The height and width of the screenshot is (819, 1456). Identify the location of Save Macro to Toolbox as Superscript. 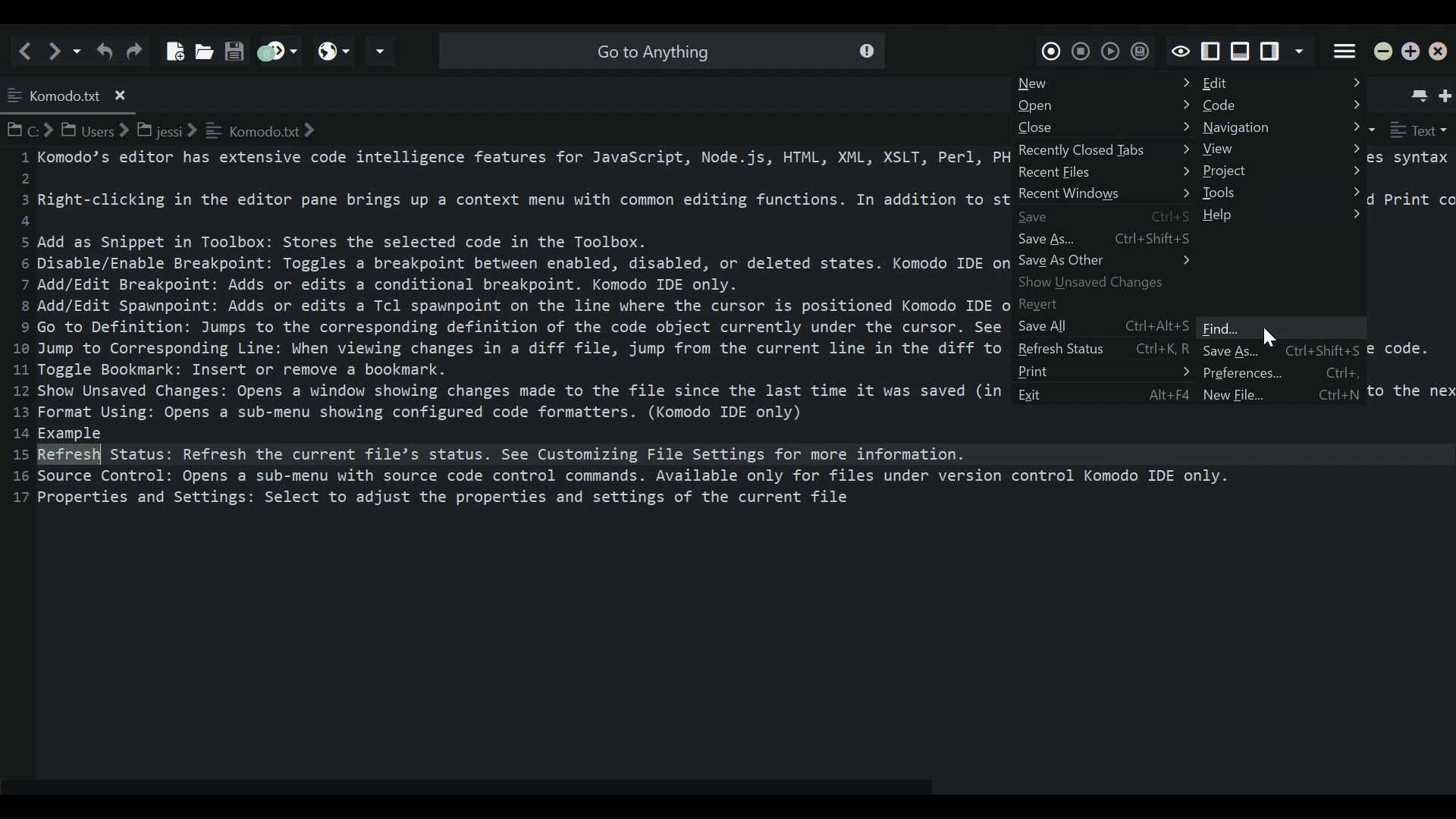
(1138, 51).